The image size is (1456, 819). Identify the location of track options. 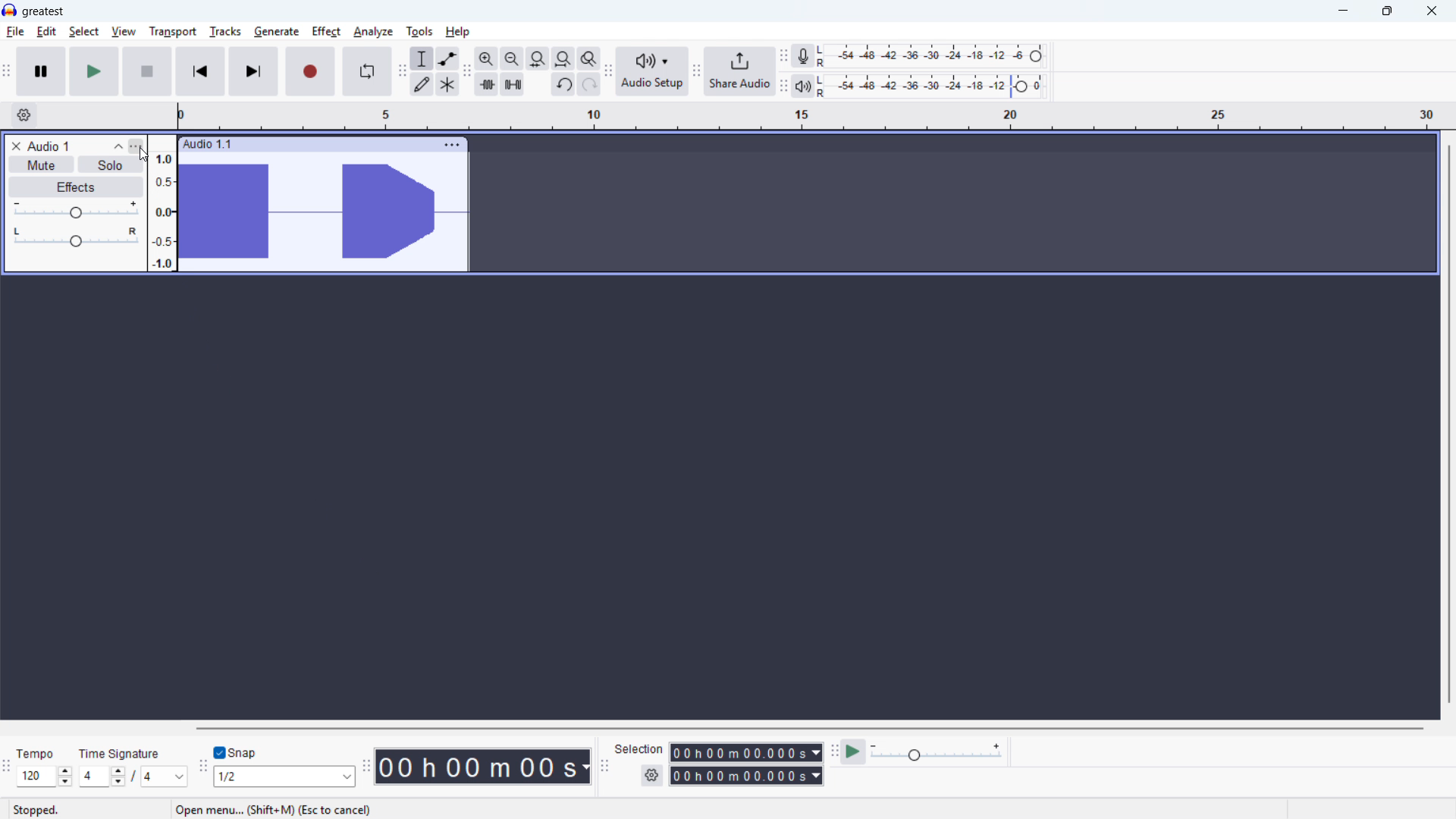
(453, 145).